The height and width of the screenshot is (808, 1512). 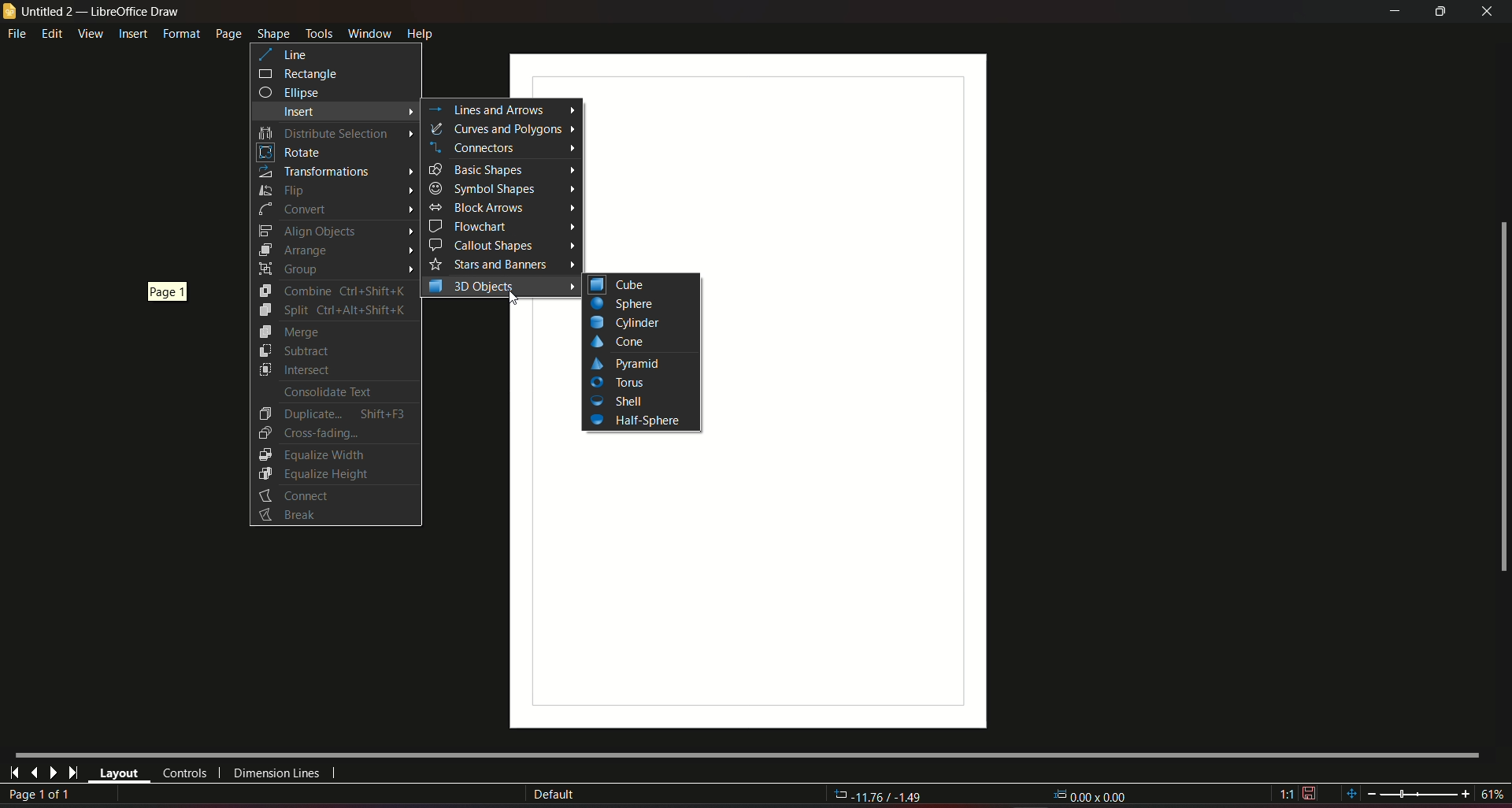 I want to click on Arrow, so click(x=570, y=206).